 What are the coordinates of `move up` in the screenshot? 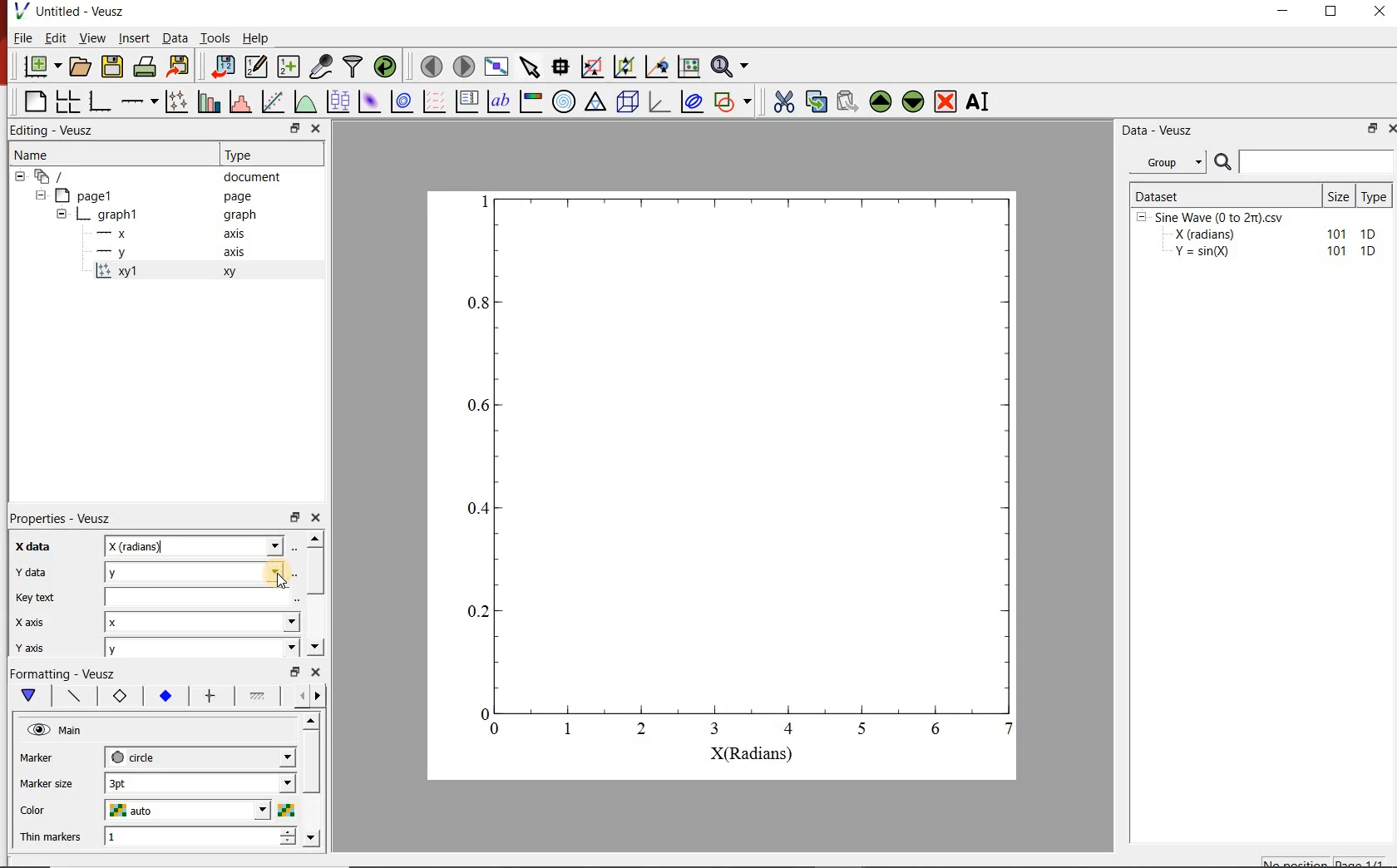 It's located at (881, 101).